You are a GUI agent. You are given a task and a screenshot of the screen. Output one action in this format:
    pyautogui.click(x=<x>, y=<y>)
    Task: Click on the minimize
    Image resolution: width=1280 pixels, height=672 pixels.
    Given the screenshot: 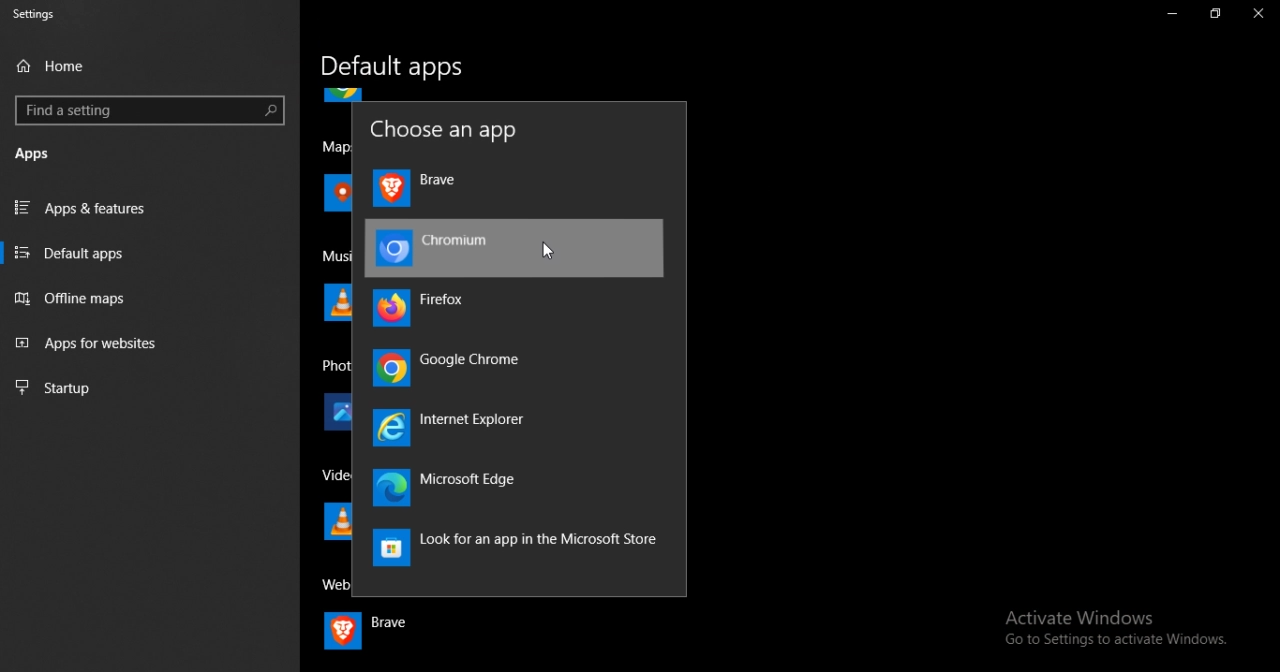 What is the action you would take?
    pyautogui.click(x=1174, y=15)
    